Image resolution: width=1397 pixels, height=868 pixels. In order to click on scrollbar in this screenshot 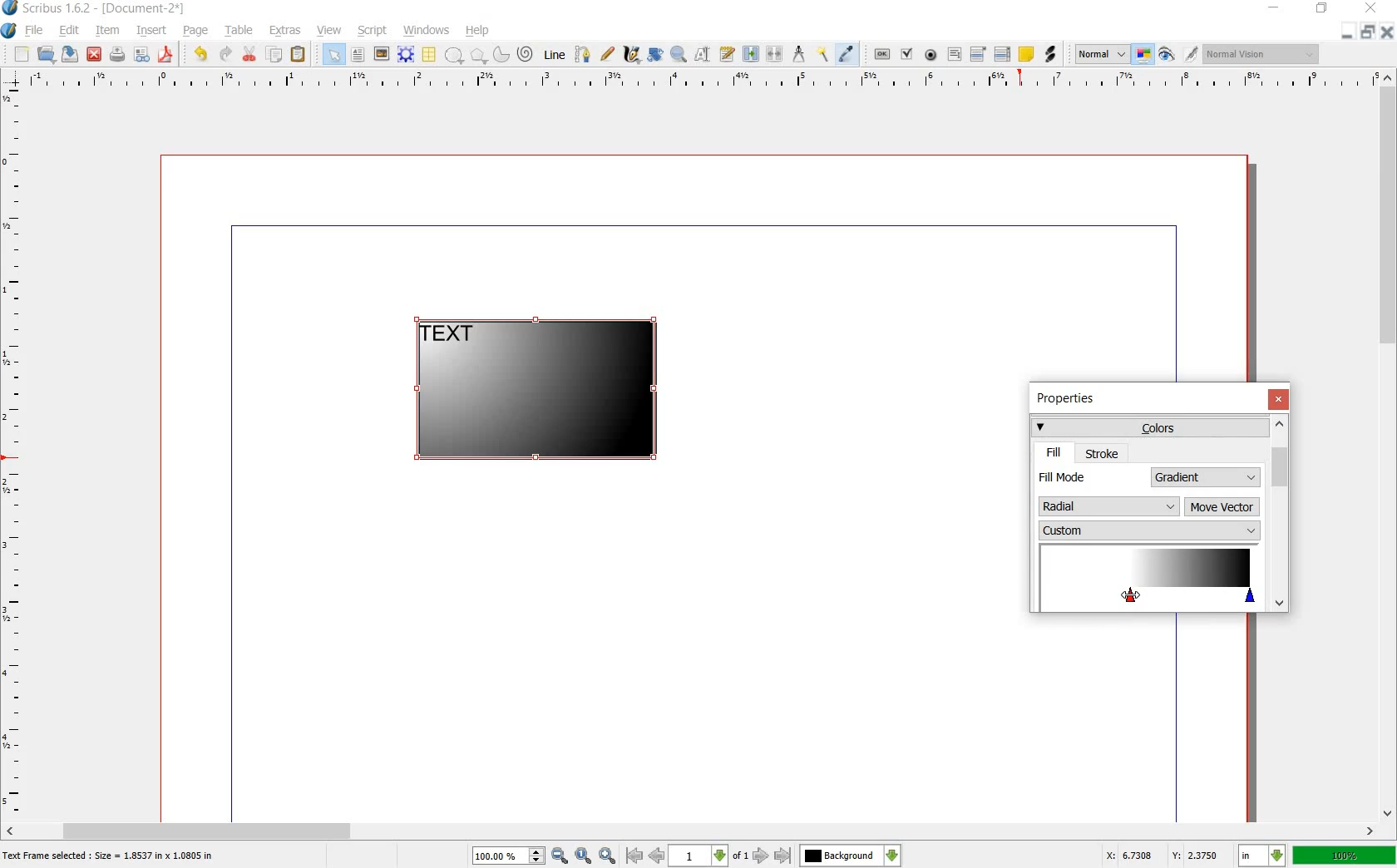, I will do `click(1279, 513)`.